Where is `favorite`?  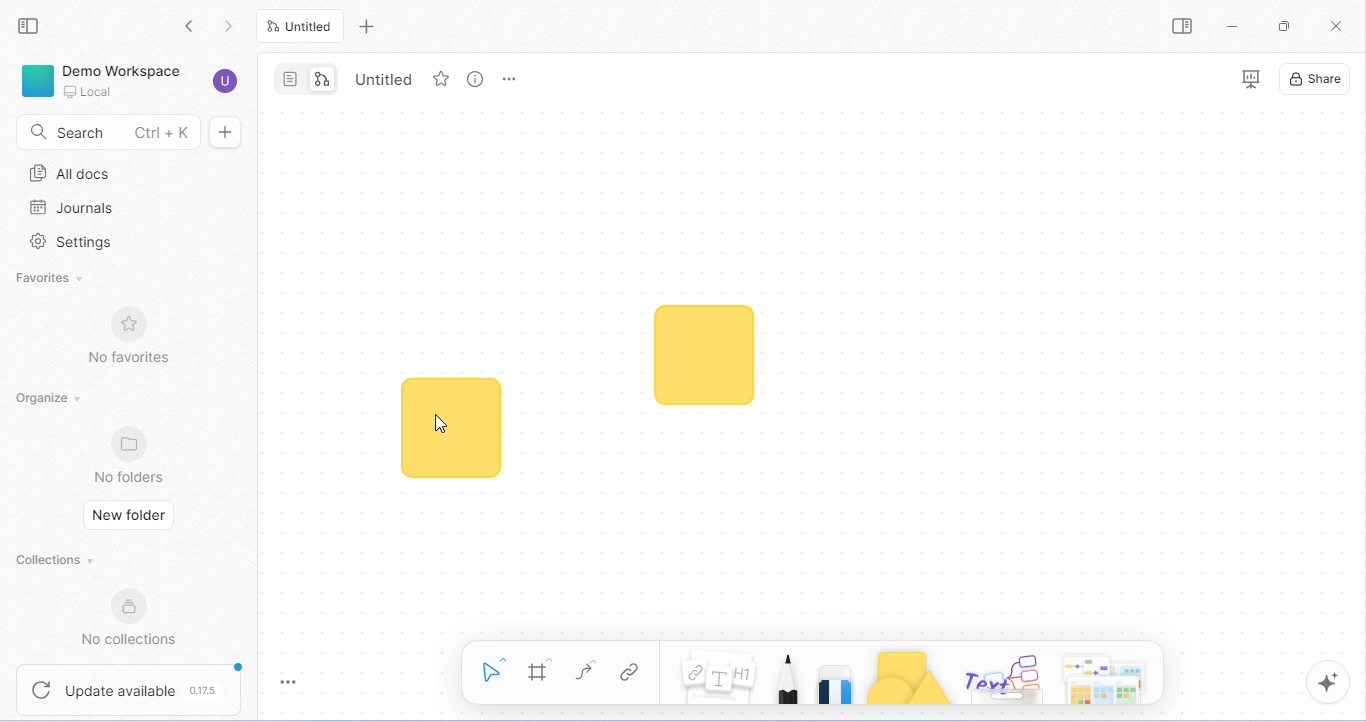
favorite is located at coordinates (441, 79).